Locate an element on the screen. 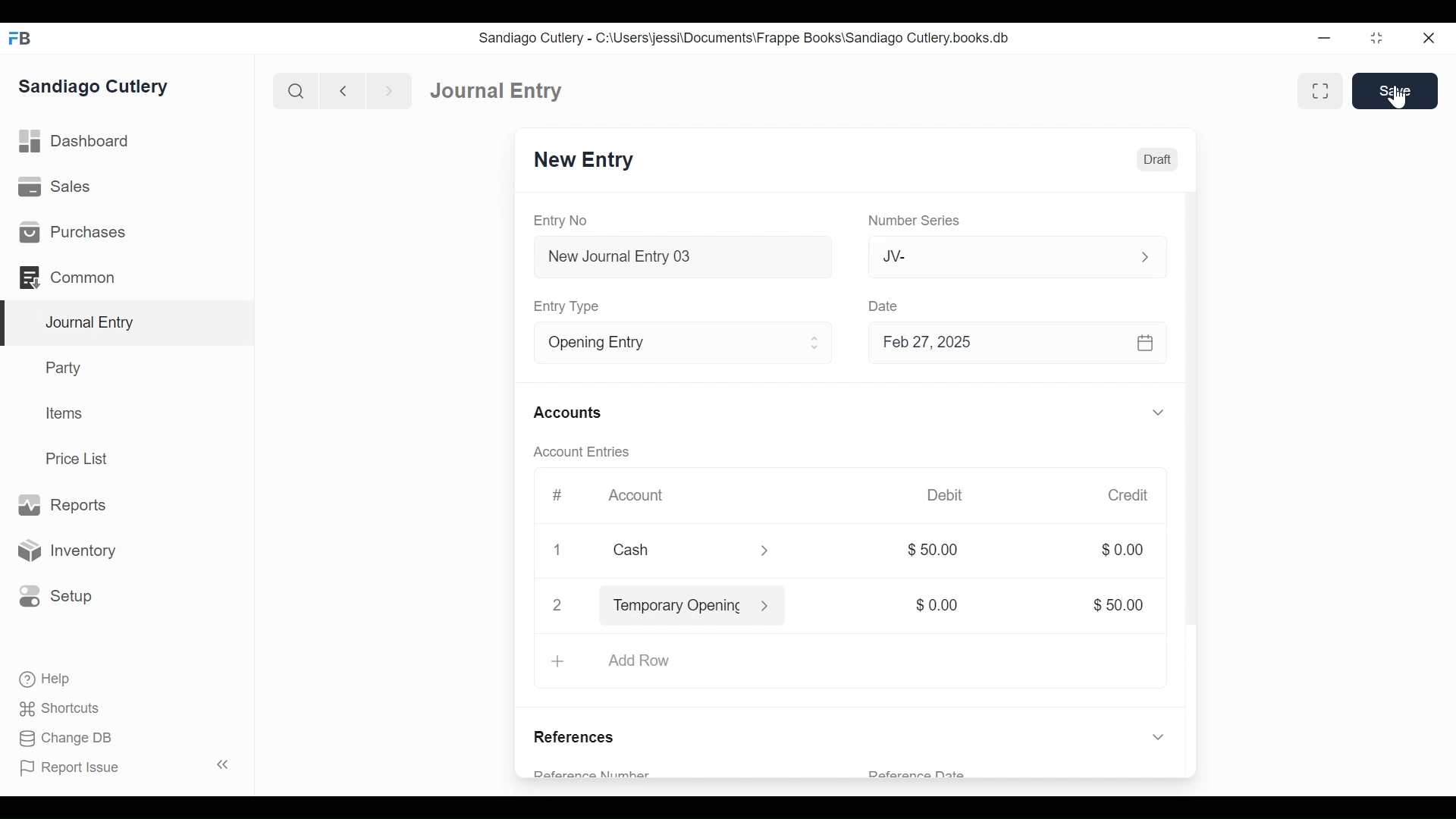 The width and height of the screenshot is (1456, 819). Account is located at coordinates (639, 496).